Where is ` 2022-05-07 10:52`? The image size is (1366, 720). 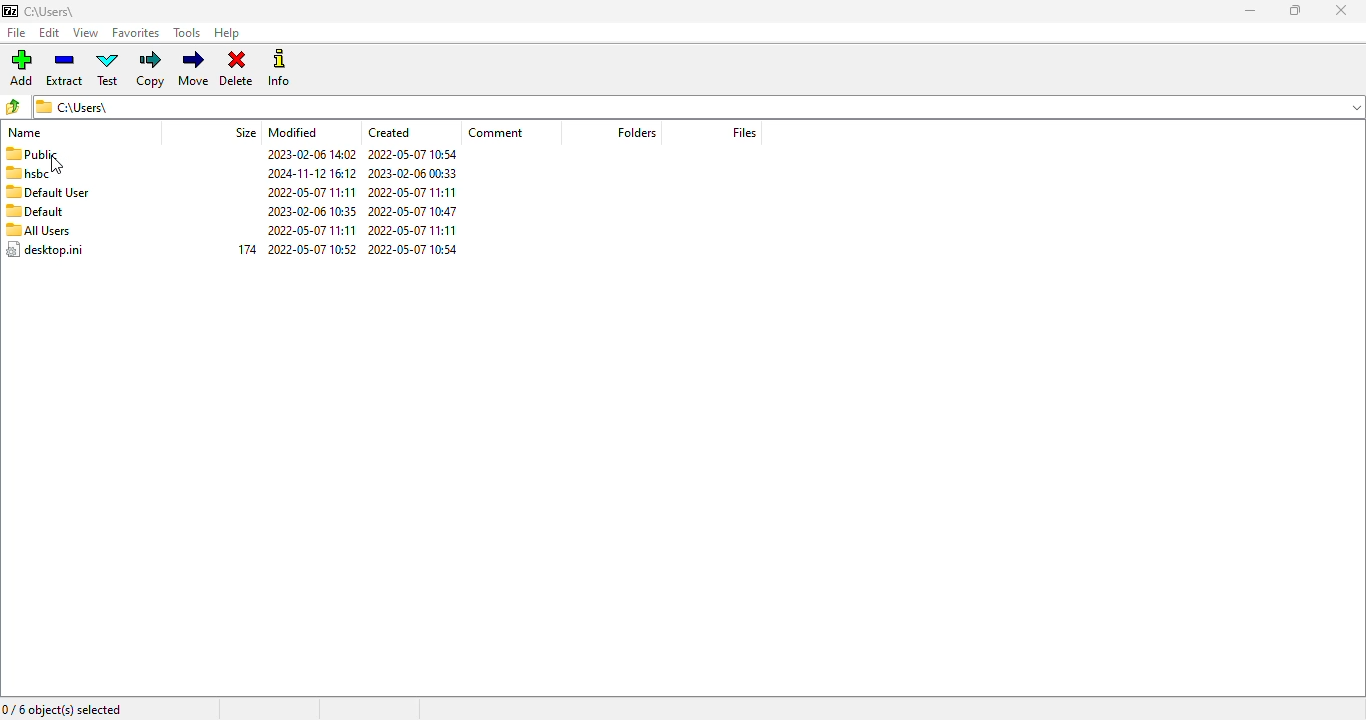  2022-05-07 10:52 is located at coordinates (311, 250).